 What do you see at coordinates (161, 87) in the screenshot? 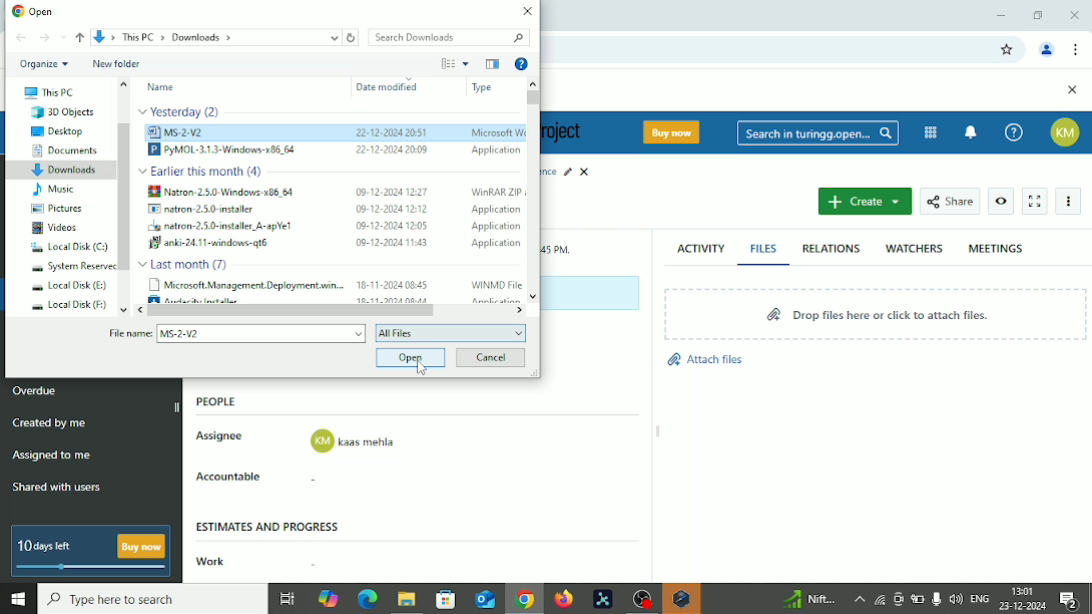
I see `Name` at bounding box center [161, 87].